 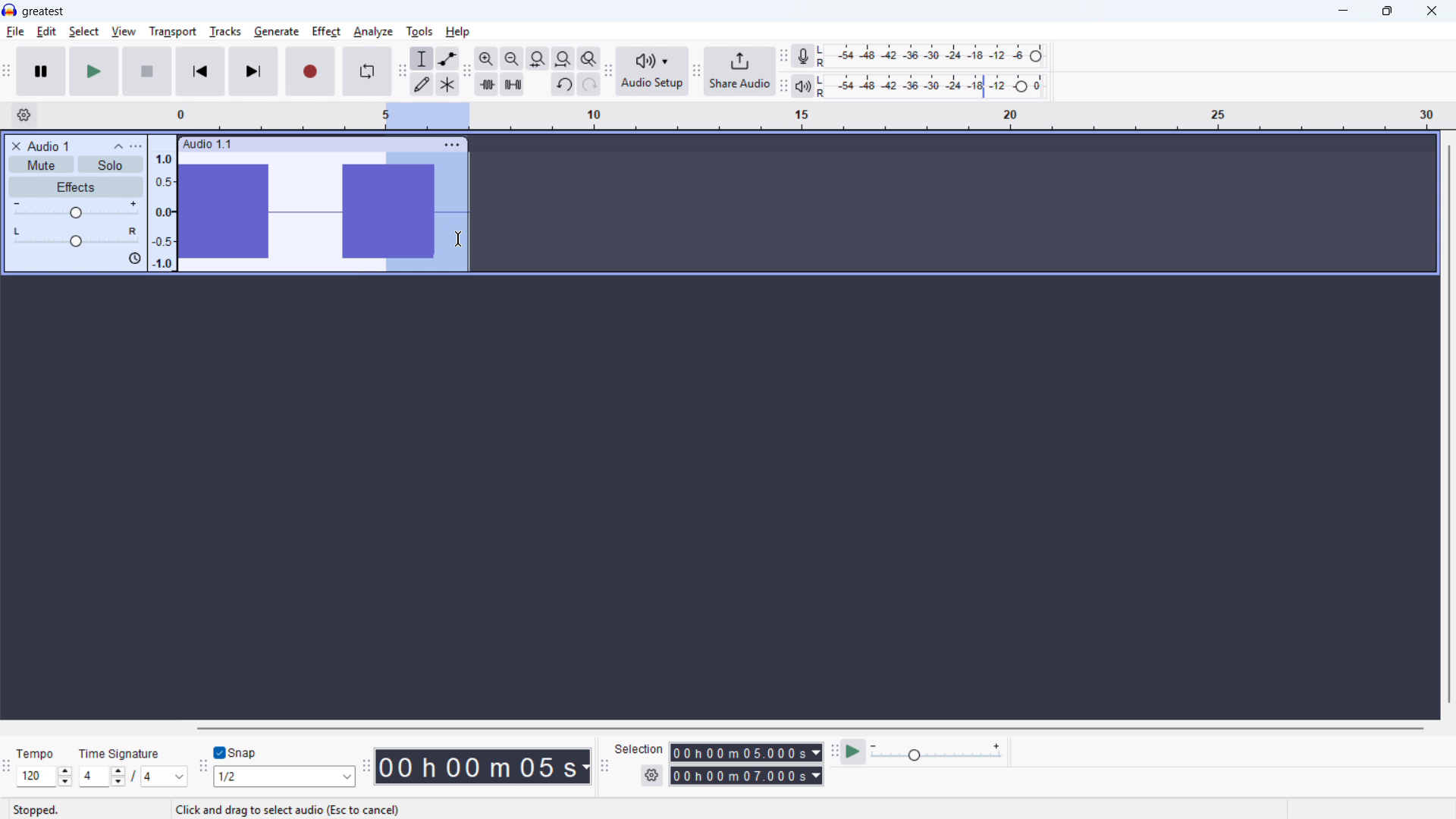 What do you see at coordinates (563, 59) in the screenshot?
I see `Fit project to width` at bounding box center [563, 59].